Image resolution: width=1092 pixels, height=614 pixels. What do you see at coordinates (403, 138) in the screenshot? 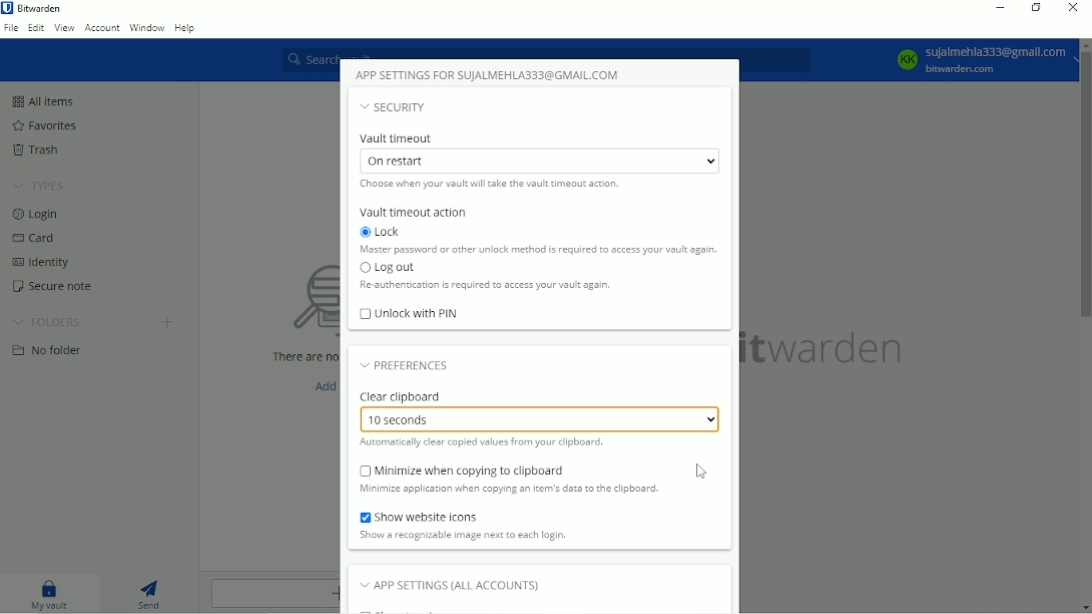
I see `Vault timeout` at bounding box center [403, 138].